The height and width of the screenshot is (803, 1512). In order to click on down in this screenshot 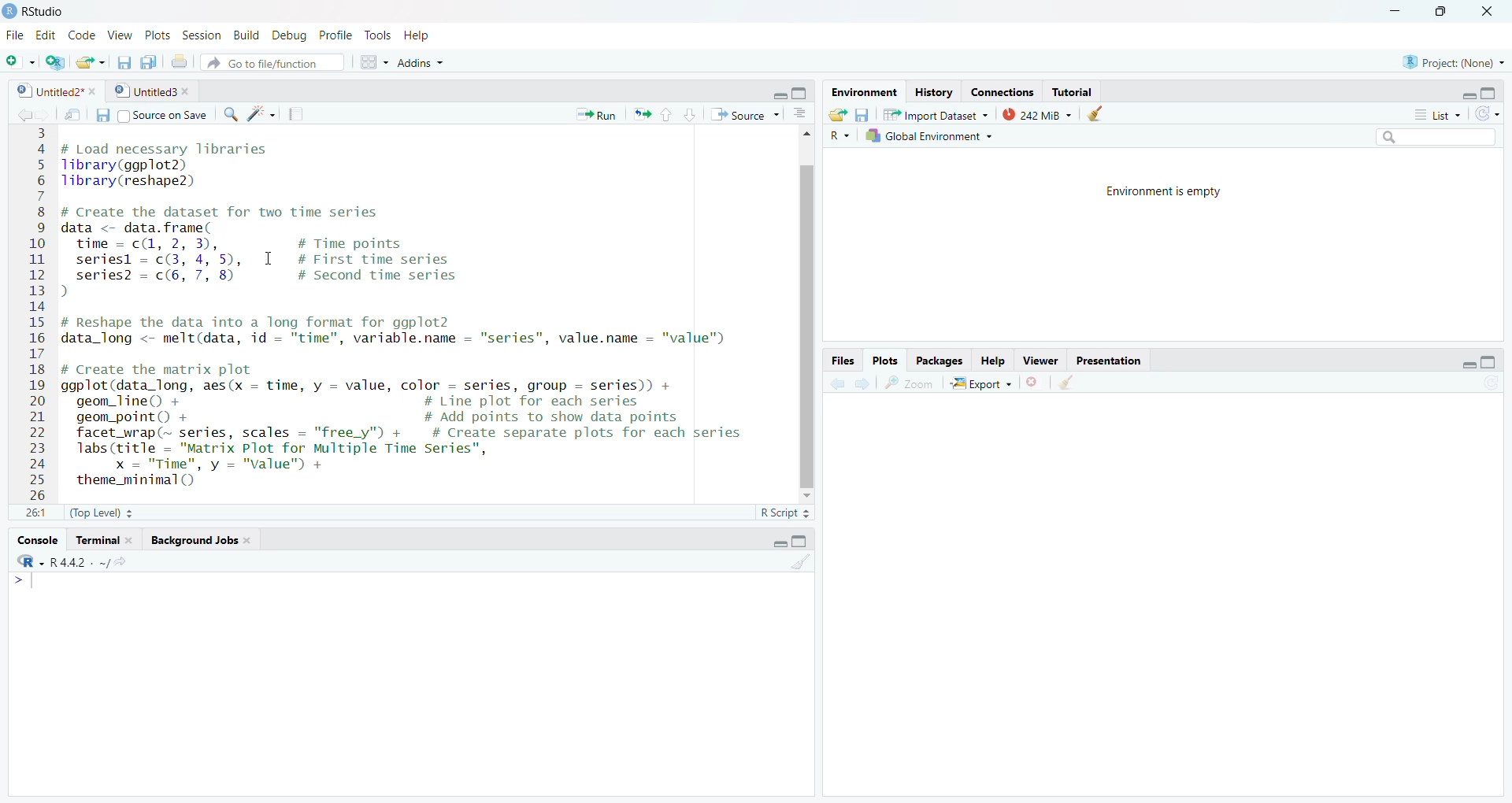, I will do `click(688, 114)`.